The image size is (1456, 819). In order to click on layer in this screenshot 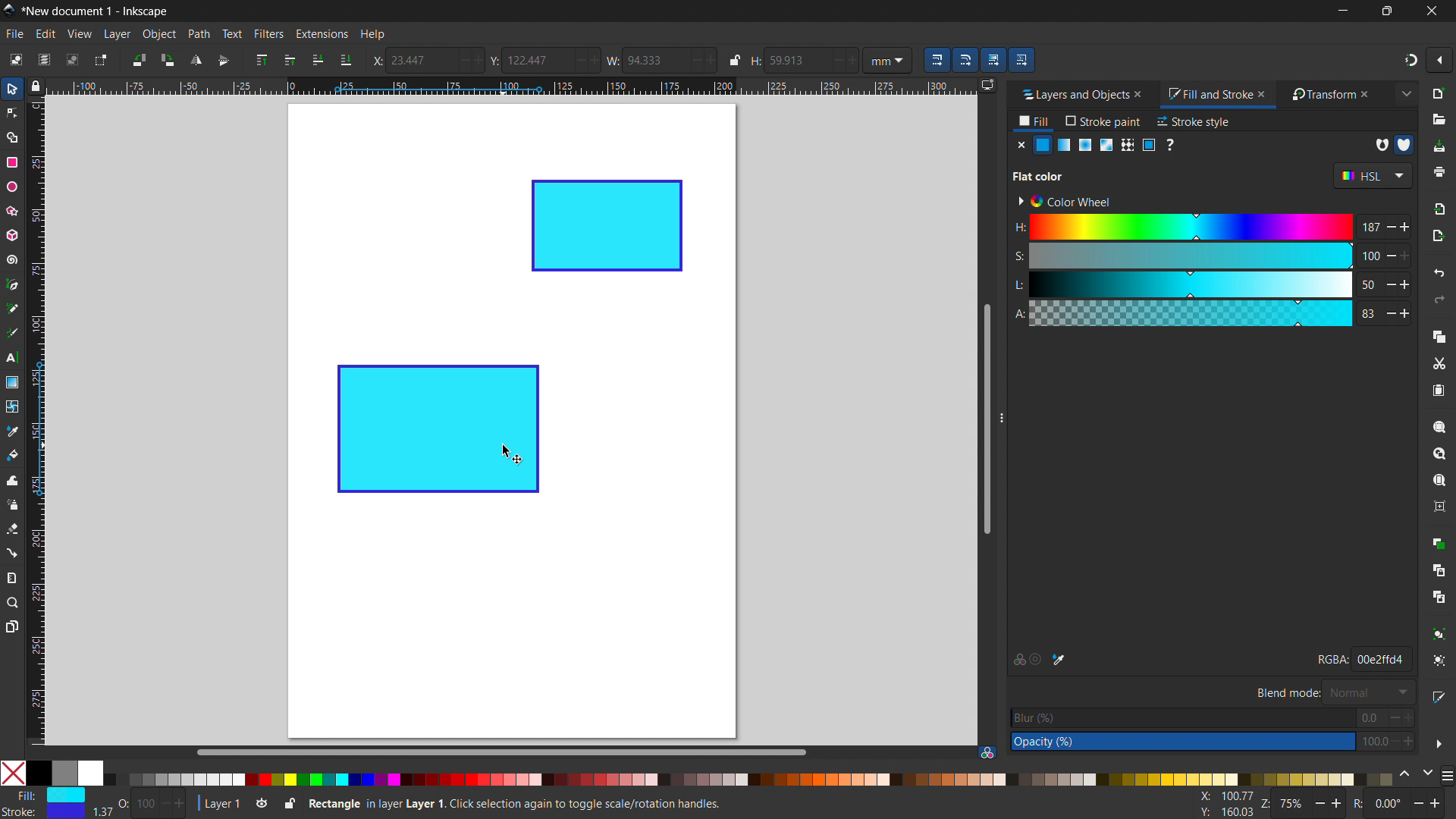, I will do `click(117, 34)`.